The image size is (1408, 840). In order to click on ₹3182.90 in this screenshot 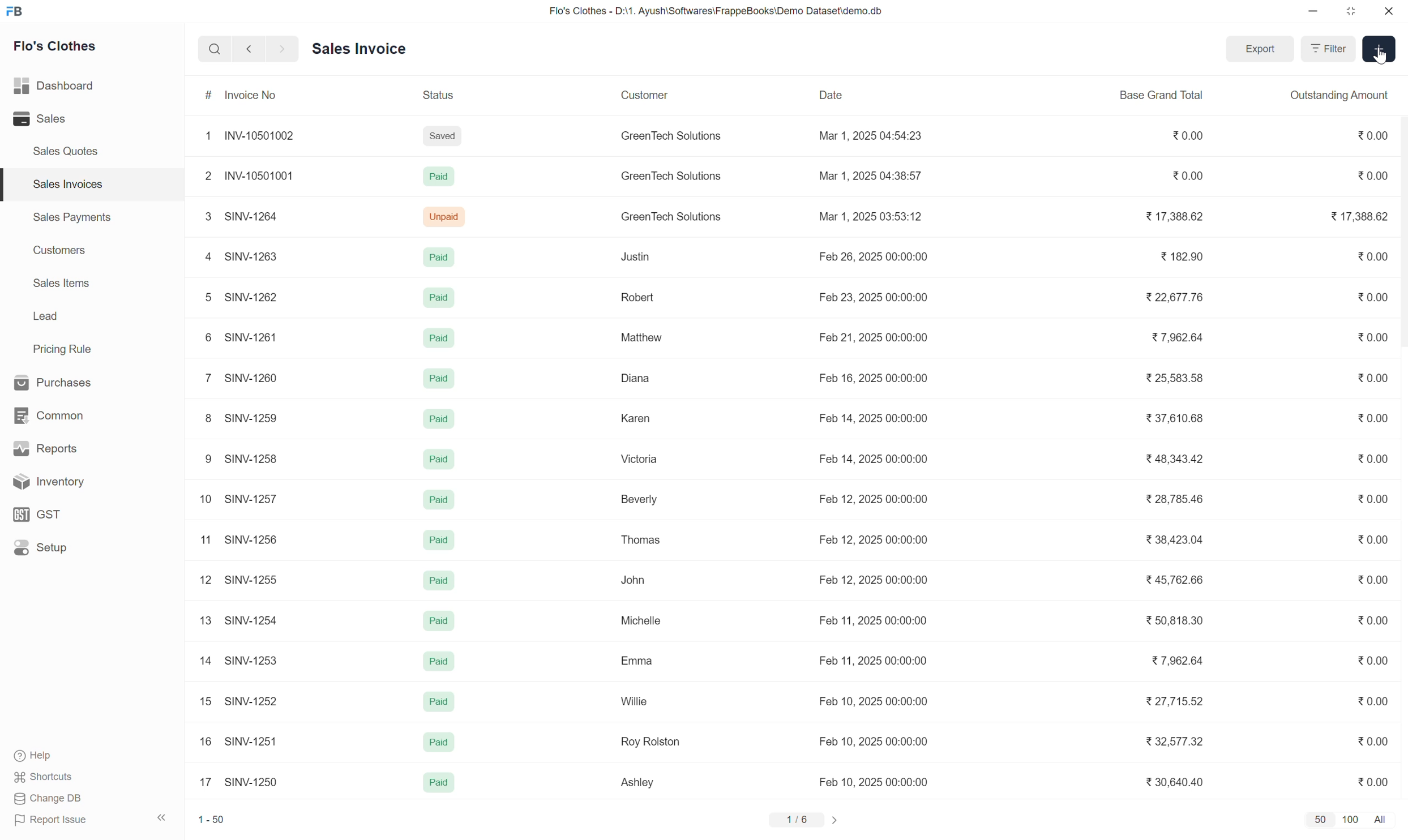, I will do `click(1185, 258)`.